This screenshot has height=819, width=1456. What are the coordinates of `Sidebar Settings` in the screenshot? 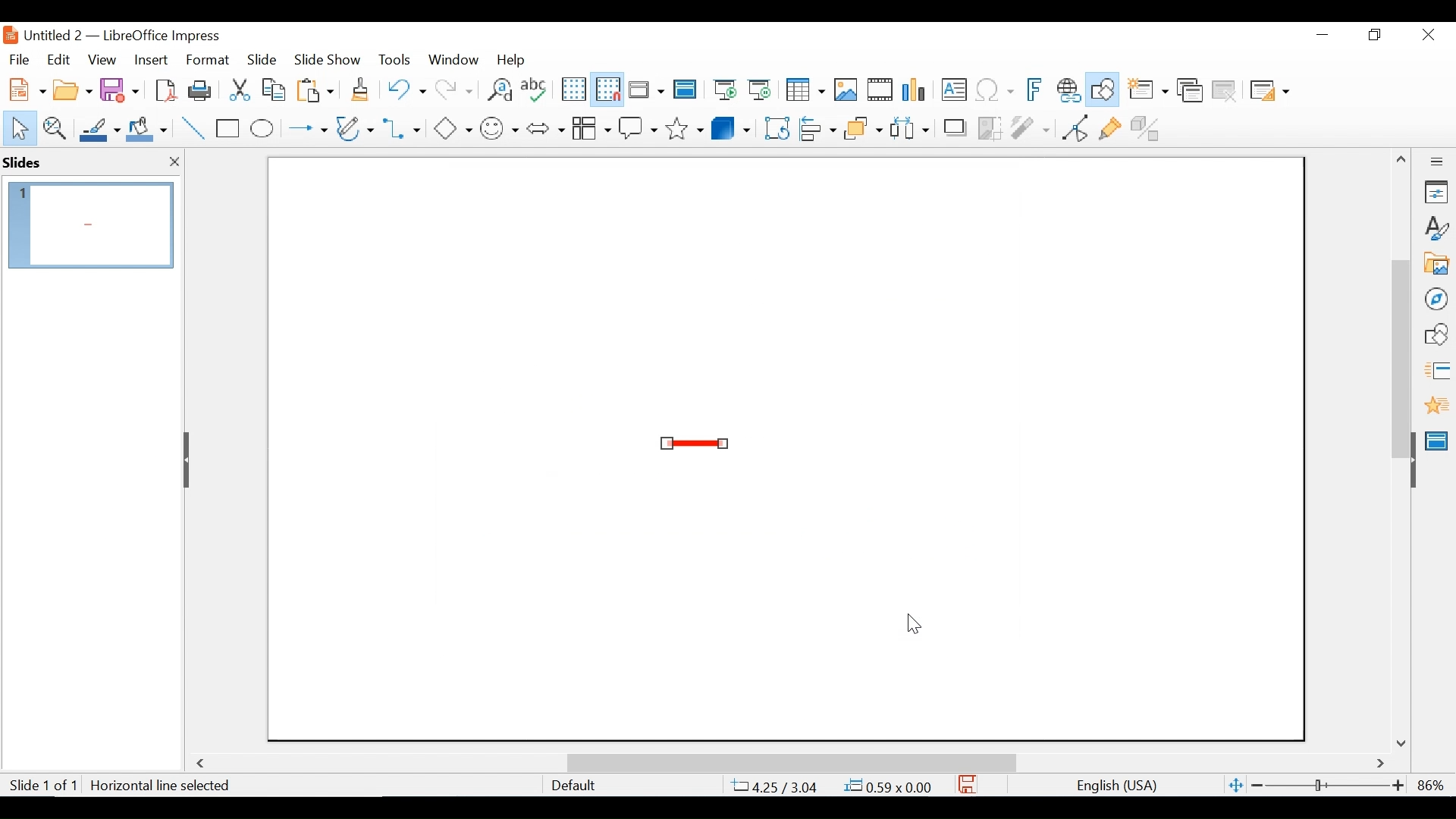 It's located at (1437, 162).